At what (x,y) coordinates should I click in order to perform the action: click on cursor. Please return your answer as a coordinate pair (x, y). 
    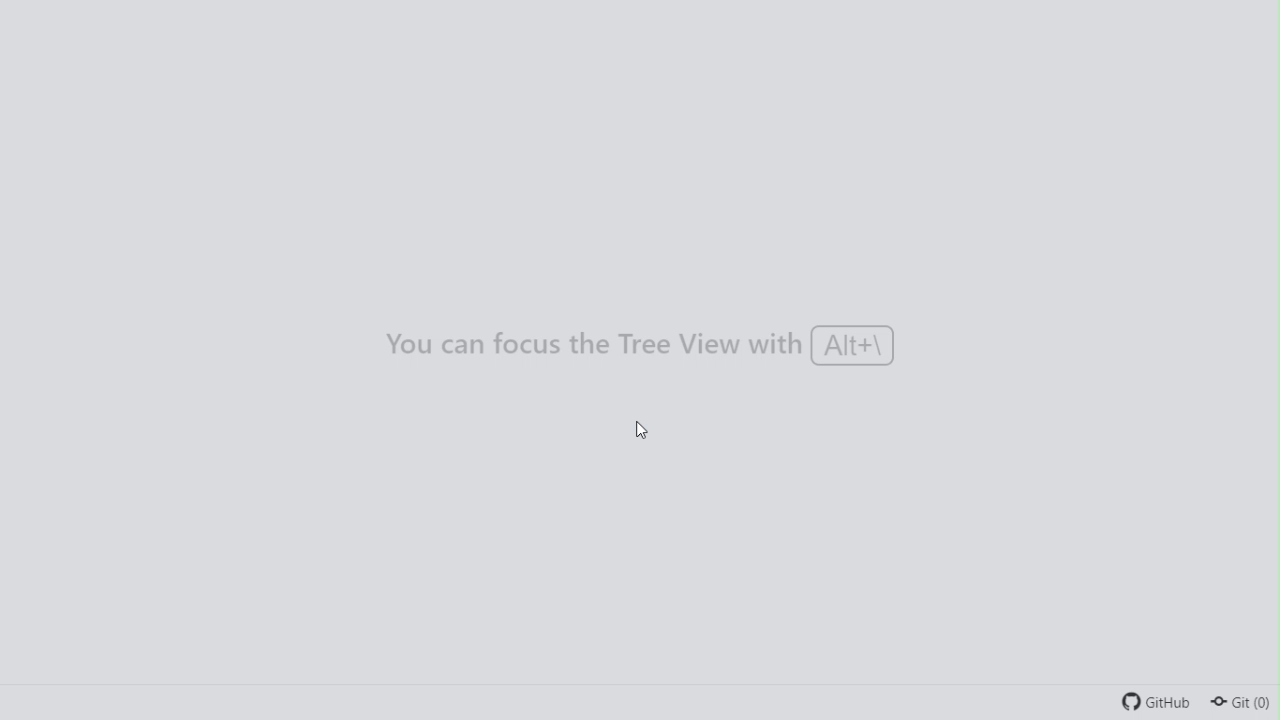
    Looking at the image, I should click on (639, 430).